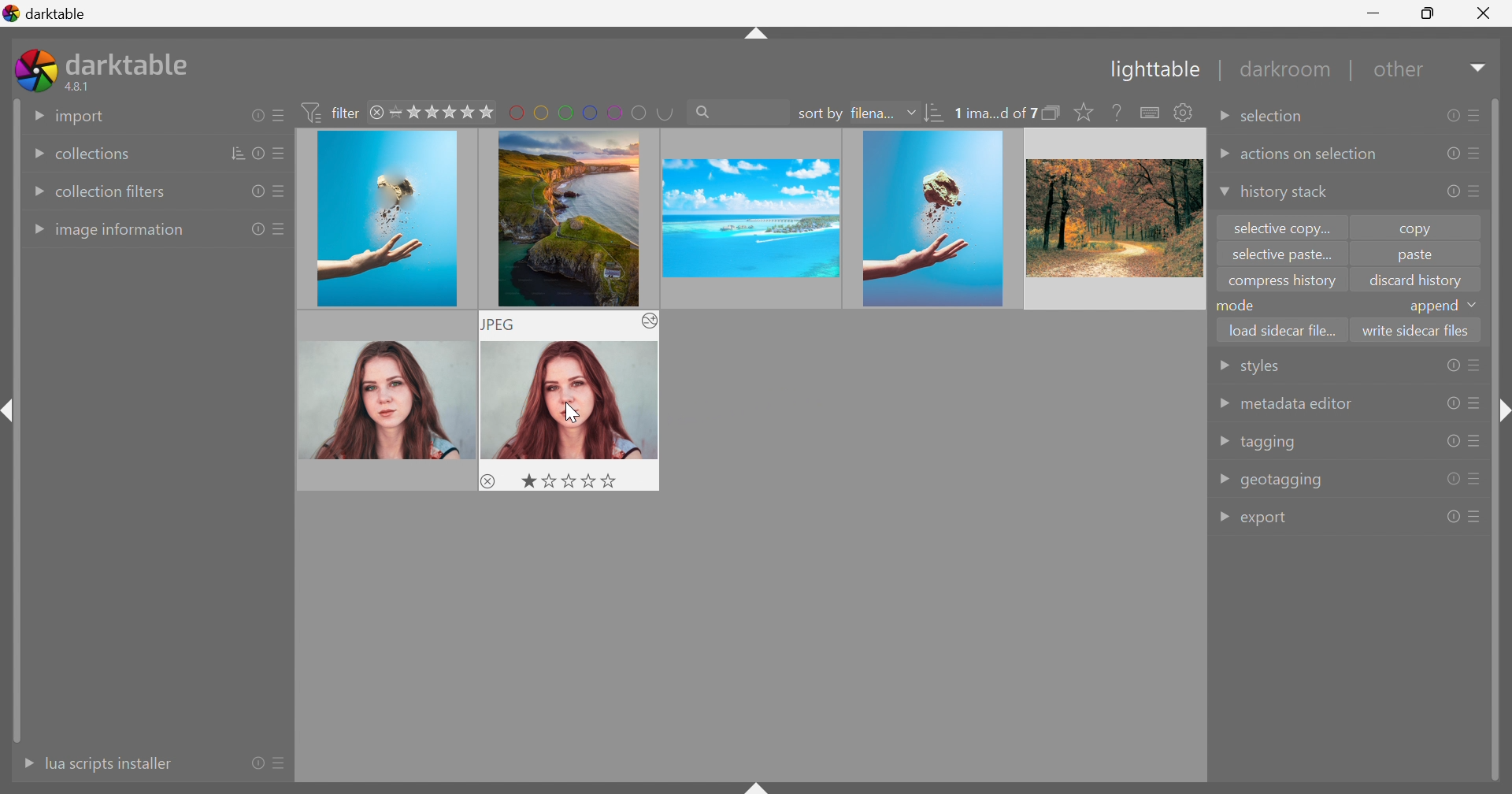  What do you see at coordinates (283, 765) in the screenshot?
I see `presets` at bounding box center [283, 765].